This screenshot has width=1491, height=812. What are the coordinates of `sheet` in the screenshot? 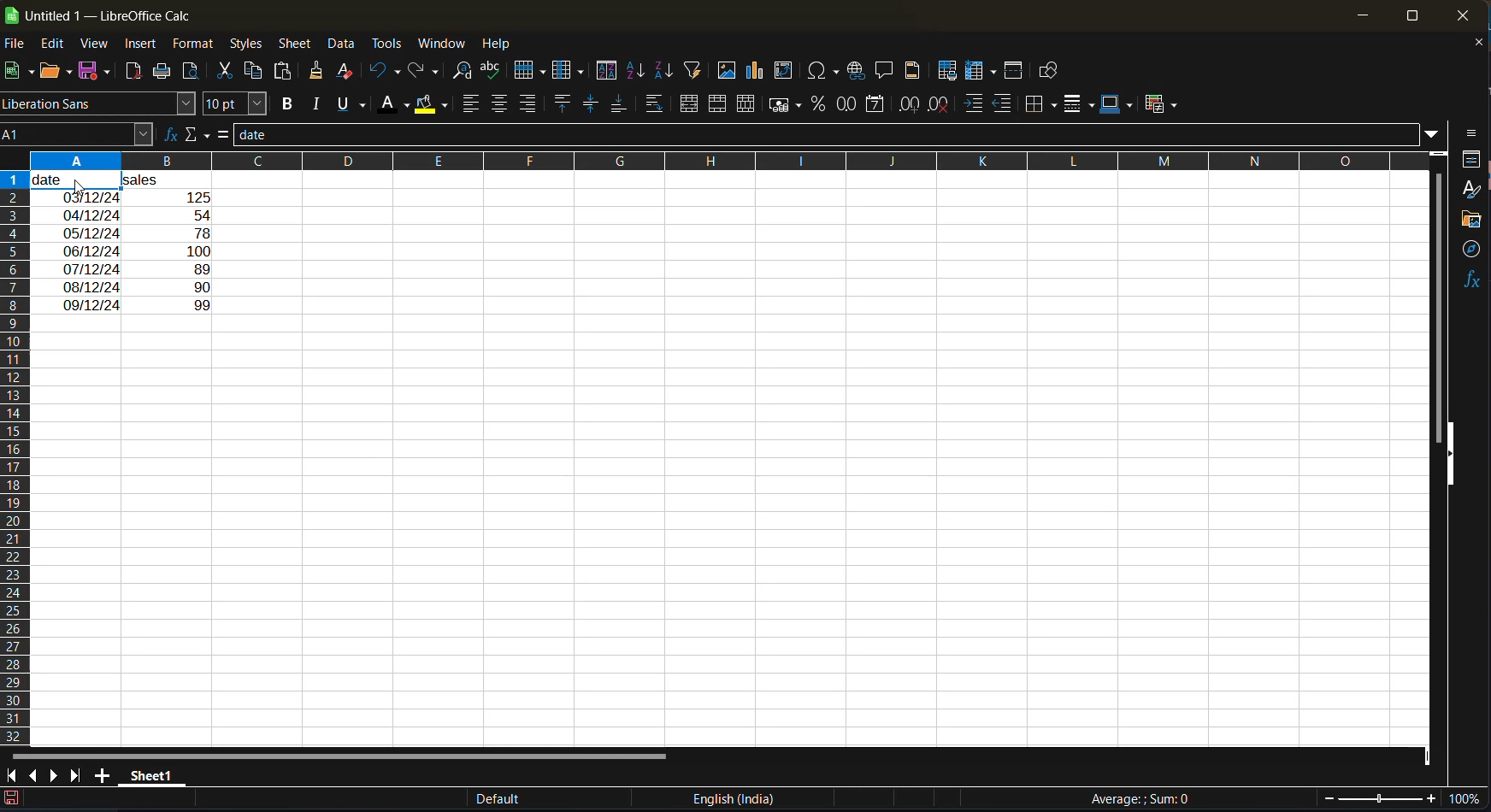 It's located at (297, 44).